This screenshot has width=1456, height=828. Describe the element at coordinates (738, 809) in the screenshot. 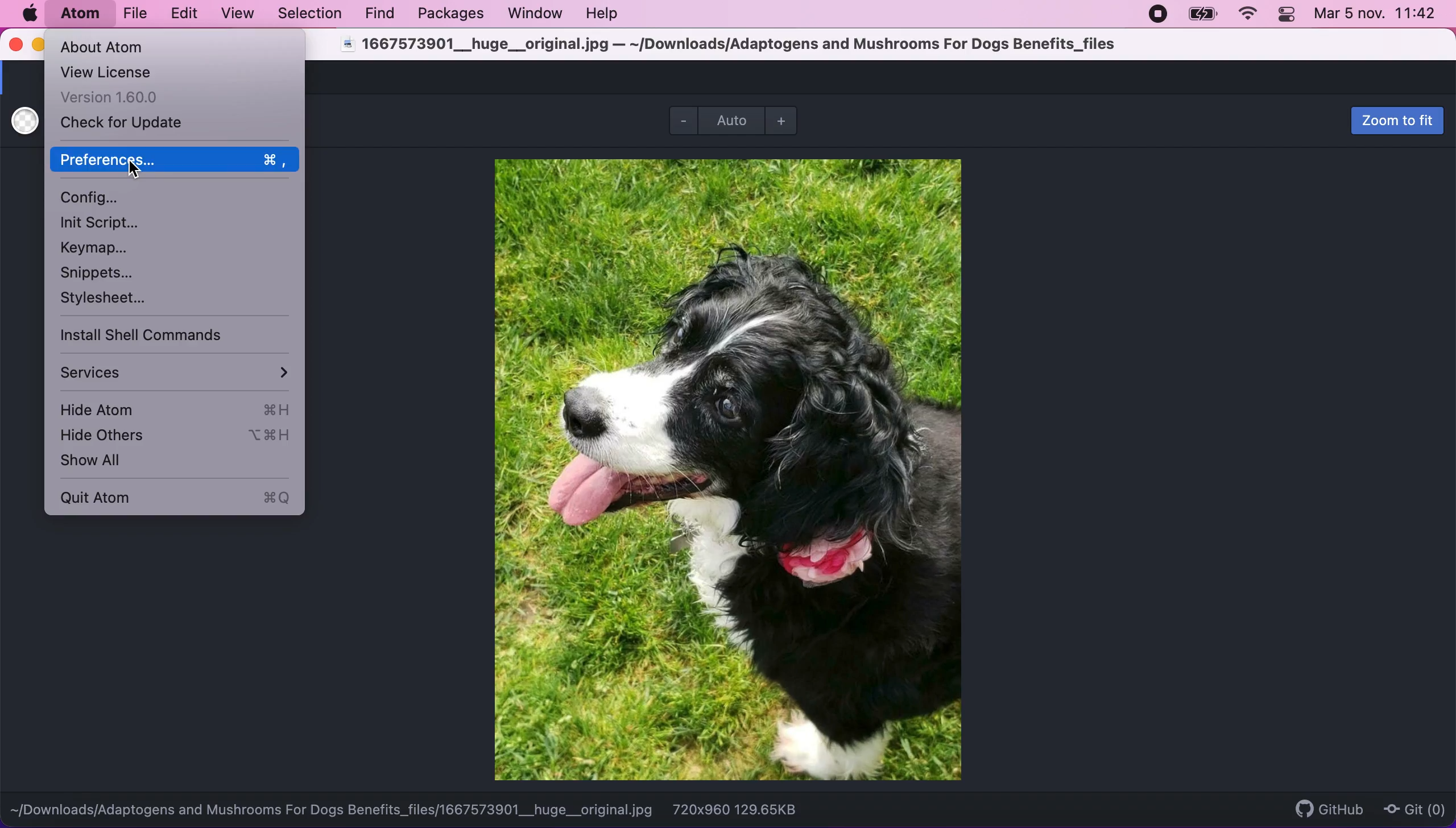

I see `720x960 129.65KB` at that location.